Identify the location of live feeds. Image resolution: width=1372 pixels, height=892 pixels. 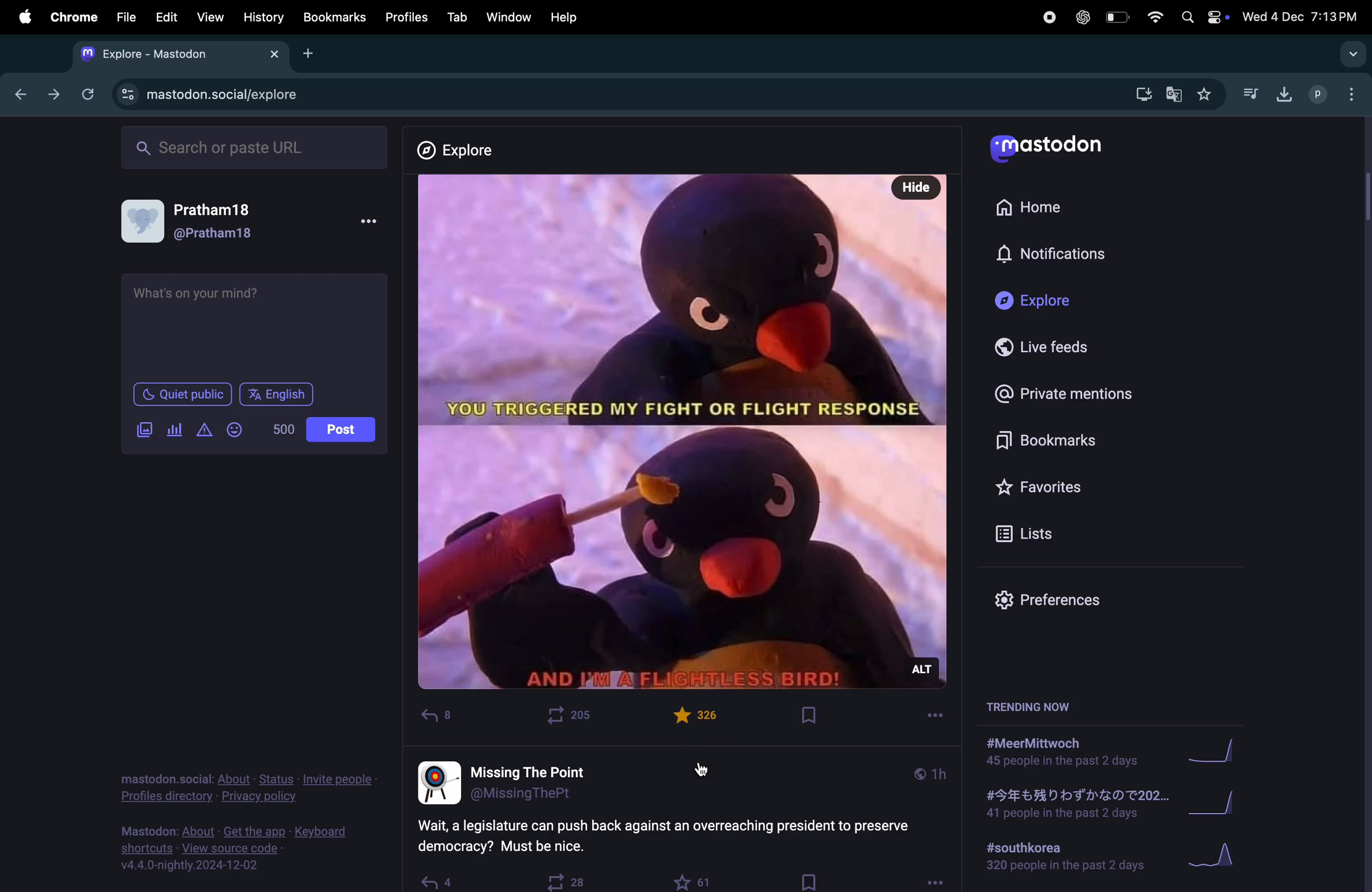
(1051, 347).